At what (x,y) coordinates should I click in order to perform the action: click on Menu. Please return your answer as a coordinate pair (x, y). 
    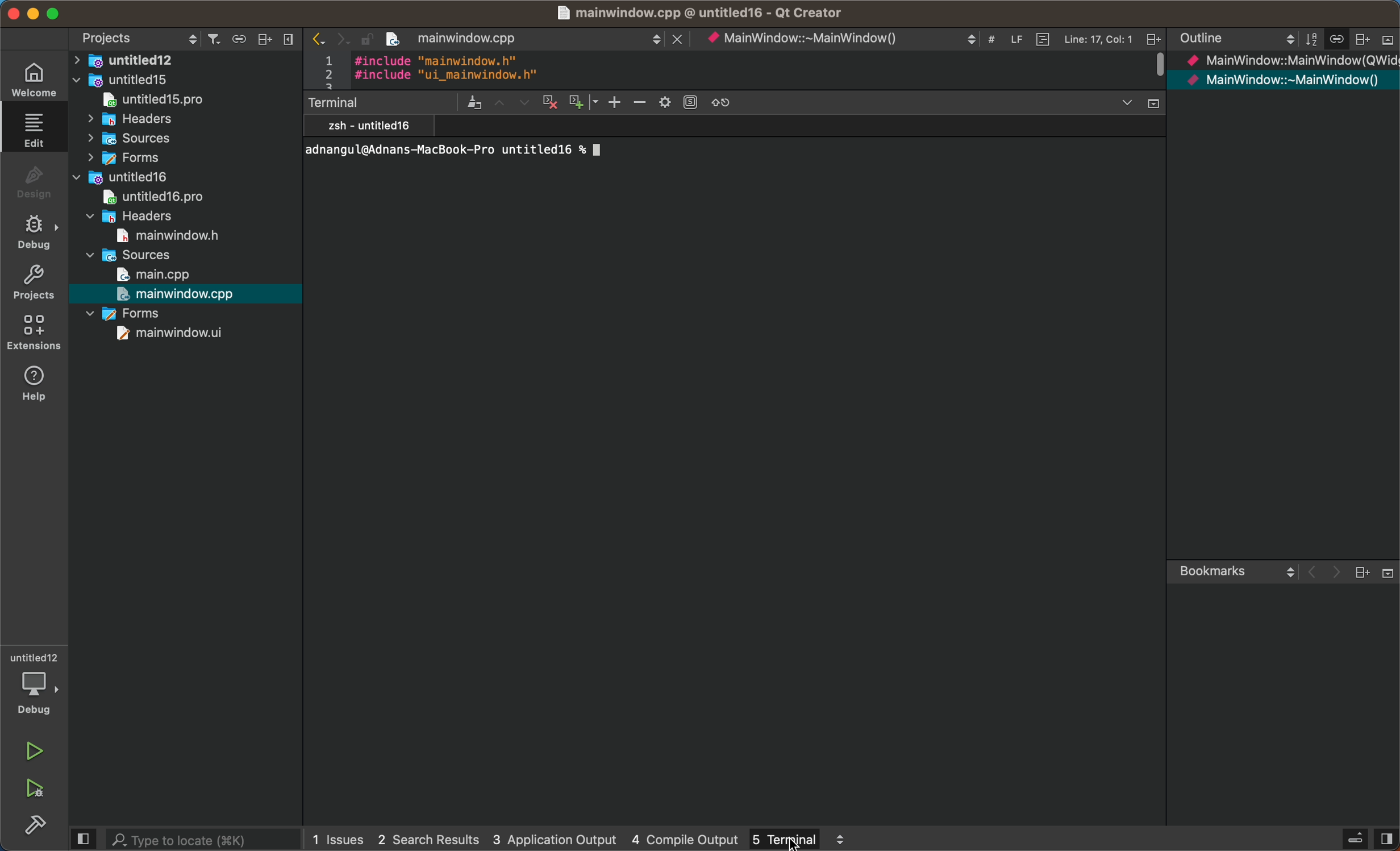
    Looking at the image, I should click on (1353, 838).